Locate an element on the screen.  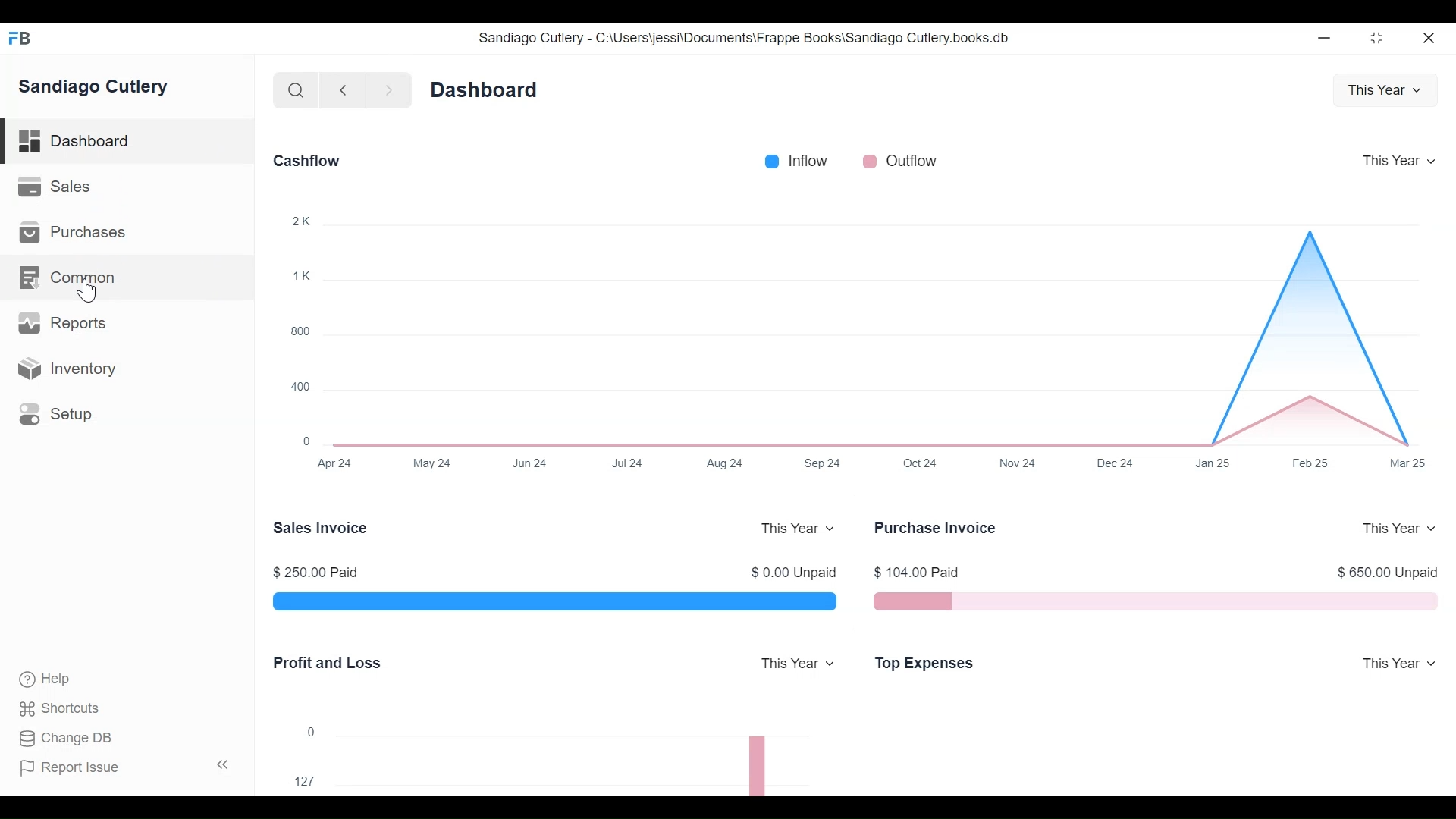
Purchase invoice  is located at coordinates (557, 603).